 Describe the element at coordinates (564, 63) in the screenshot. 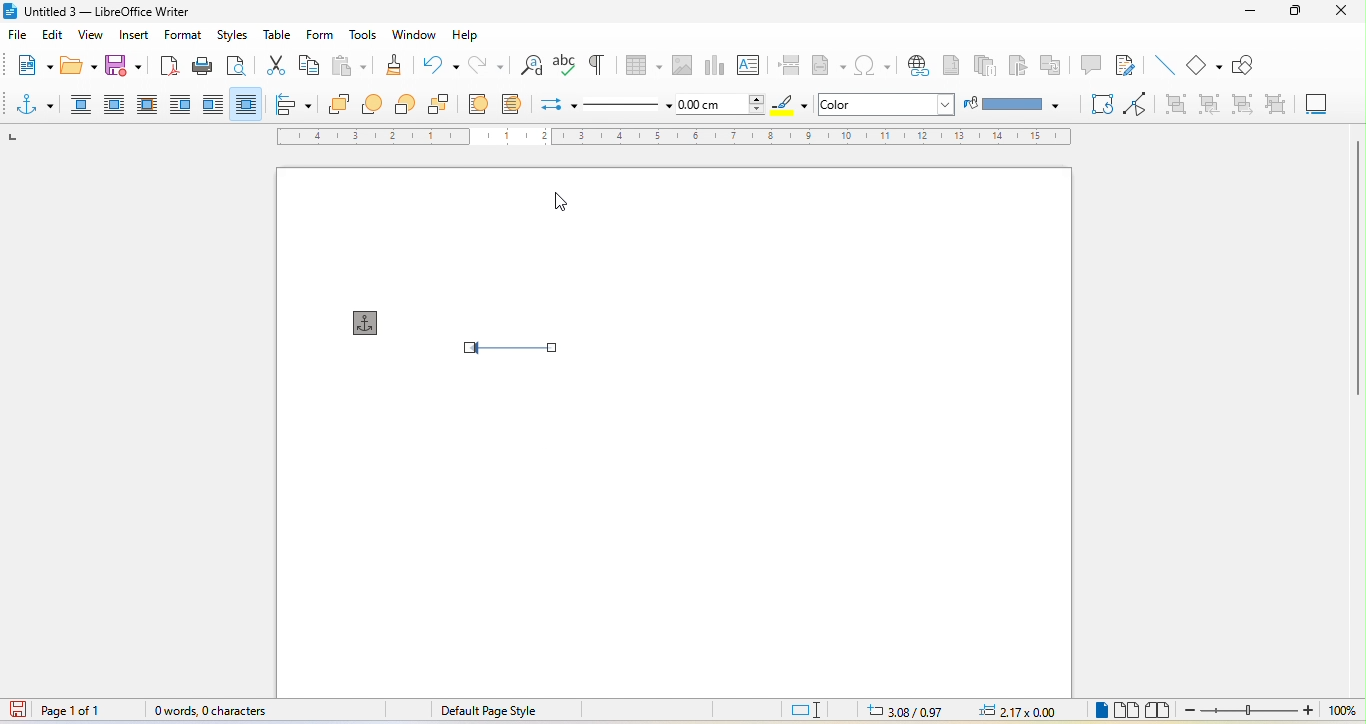

I see `spelling` at that location.